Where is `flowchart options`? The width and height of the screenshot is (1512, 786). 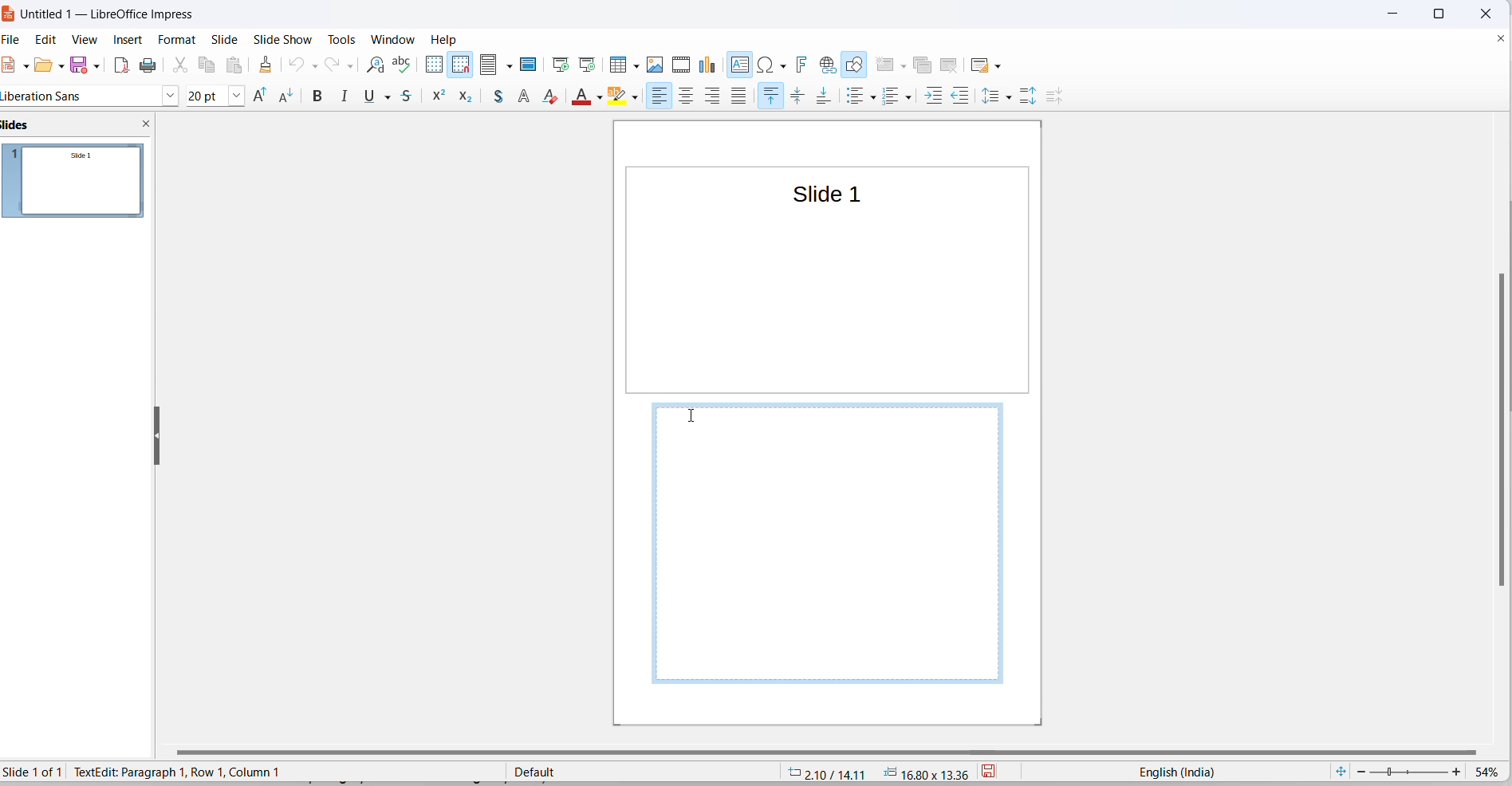 flowchart options is located at coordinates (460, 101).